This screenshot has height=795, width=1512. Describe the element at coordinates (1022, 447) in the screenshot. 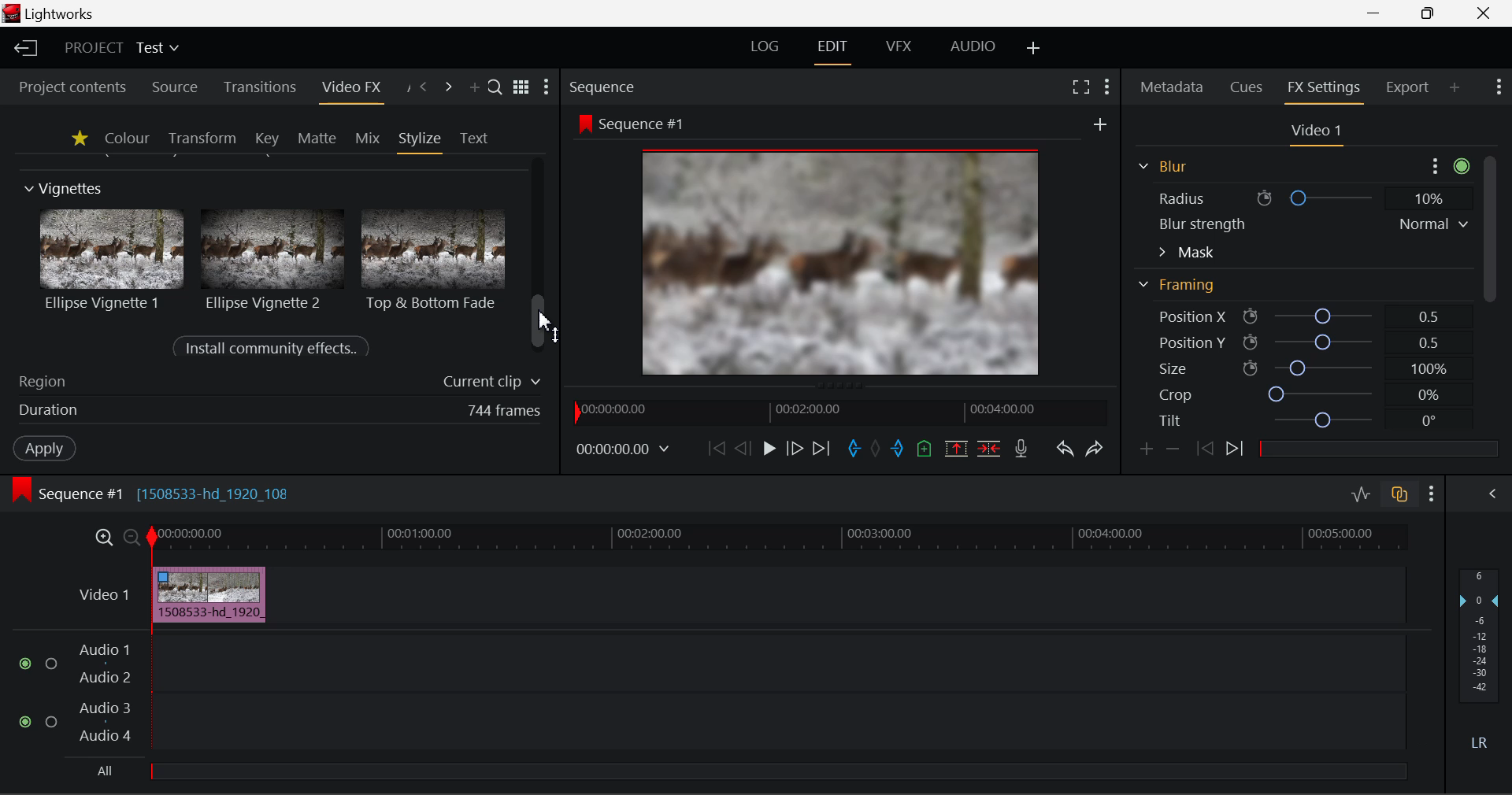

I see `Record Voiceover` at that location.